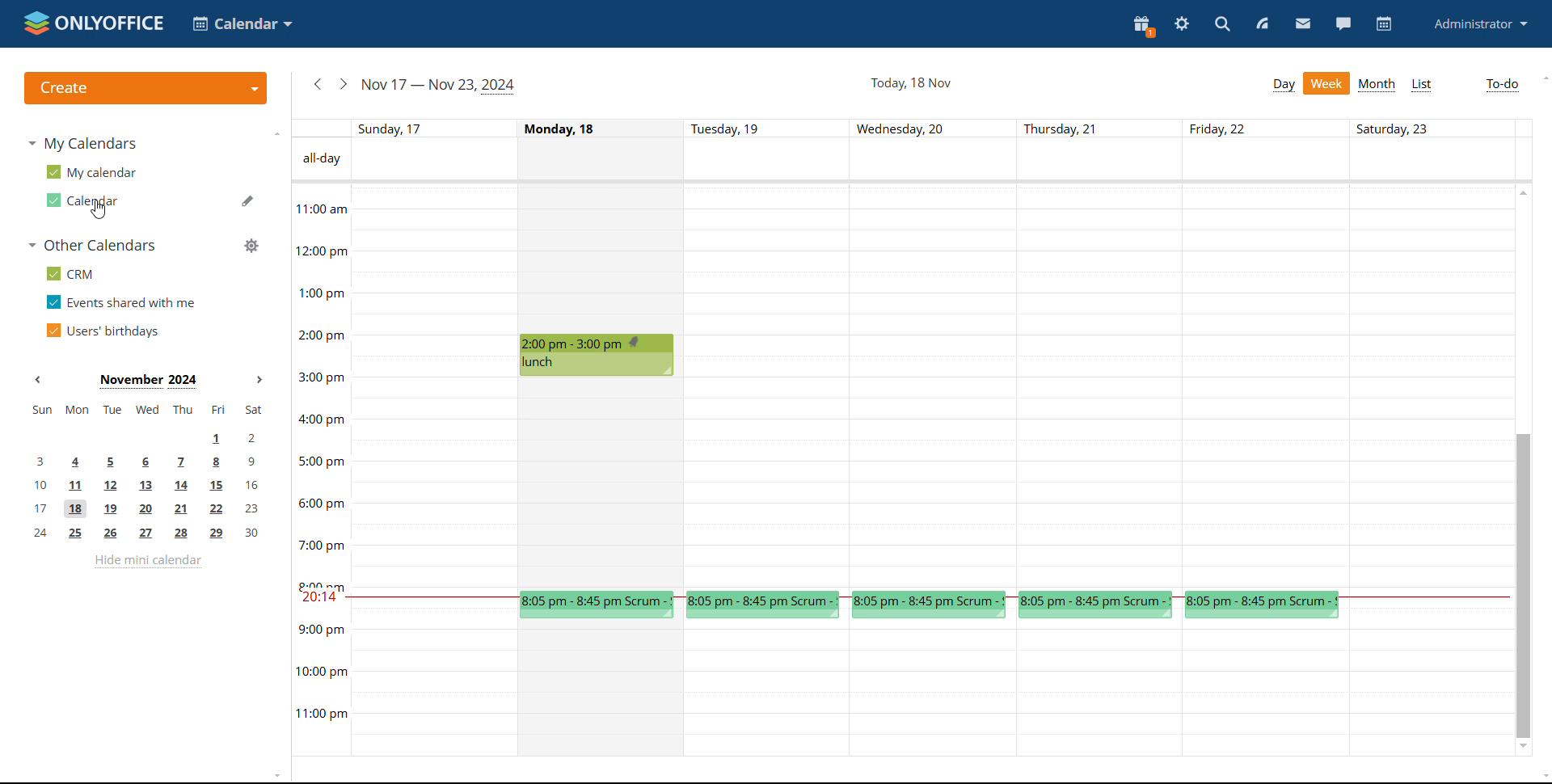 This screenshot has width=1552, height=784. Describe the element at coordinates (242, 23) in the screenshot. I see `Select application` at that location.